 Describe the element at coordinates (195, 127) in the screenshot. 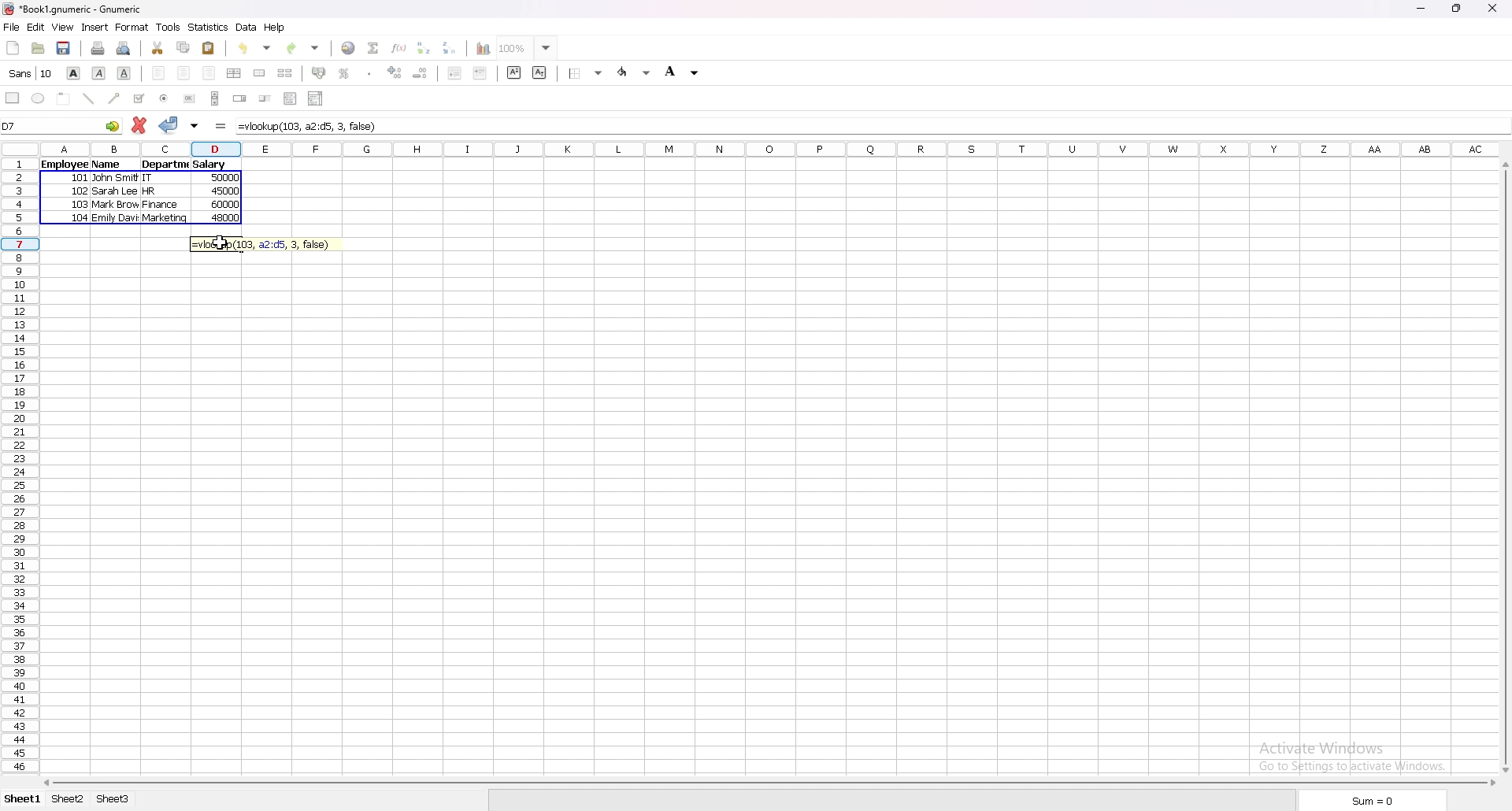

I see `accept all changes` at that location.